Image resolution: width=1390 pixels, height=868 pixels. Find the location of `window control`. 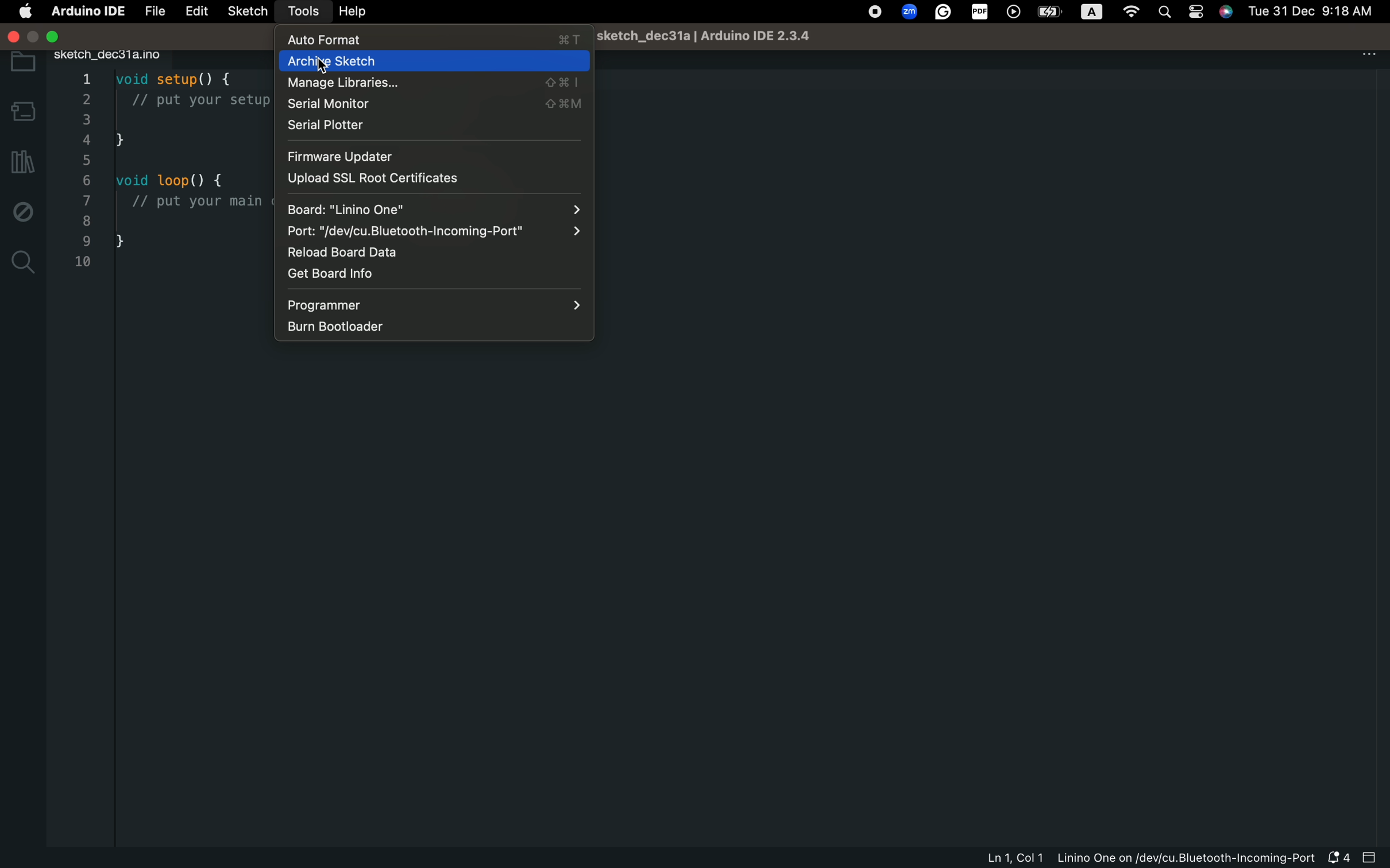

window control is located at coordinates (40, 34).